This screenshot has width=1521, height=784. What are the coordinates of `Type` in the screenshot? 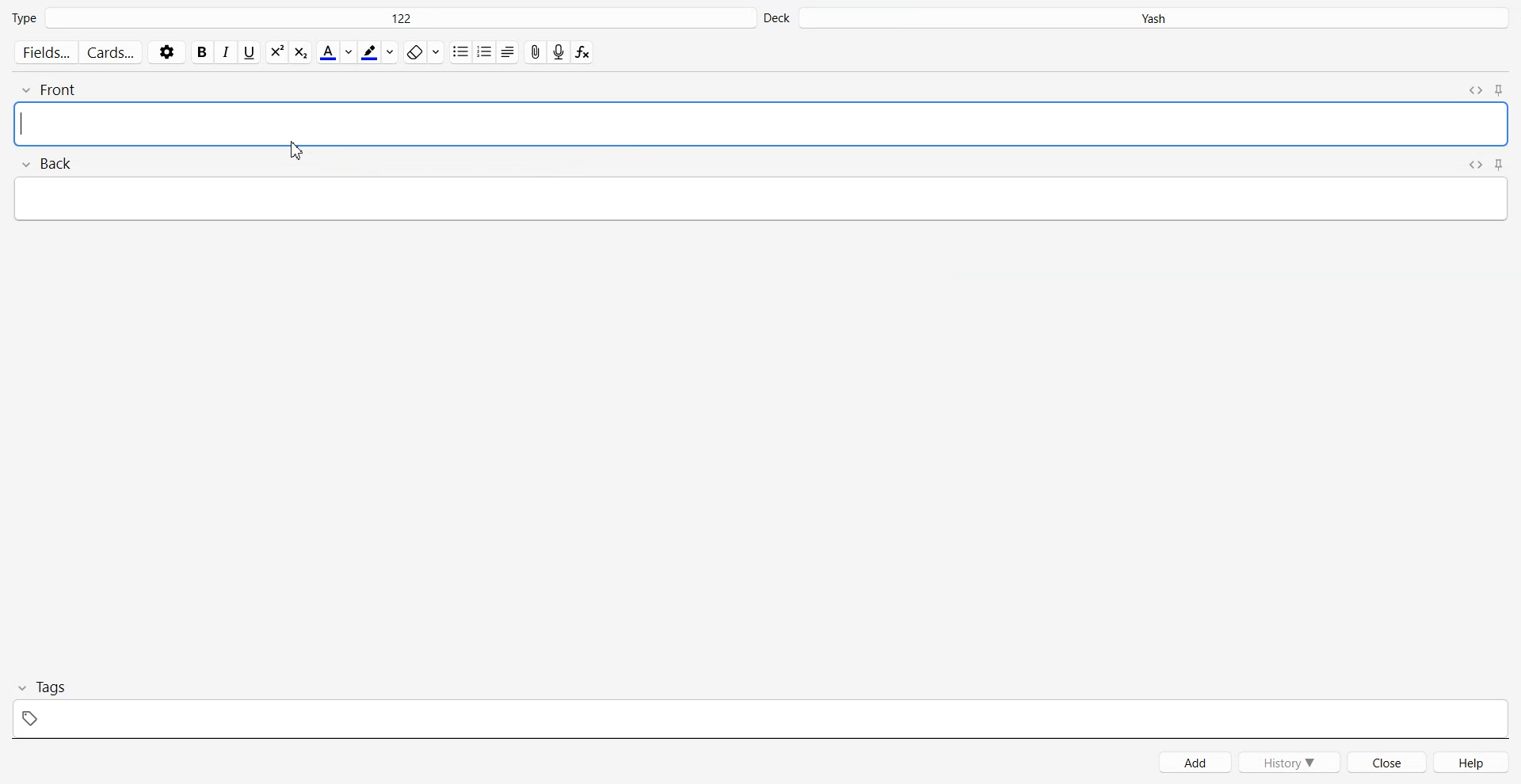 It's located at (381, 18).